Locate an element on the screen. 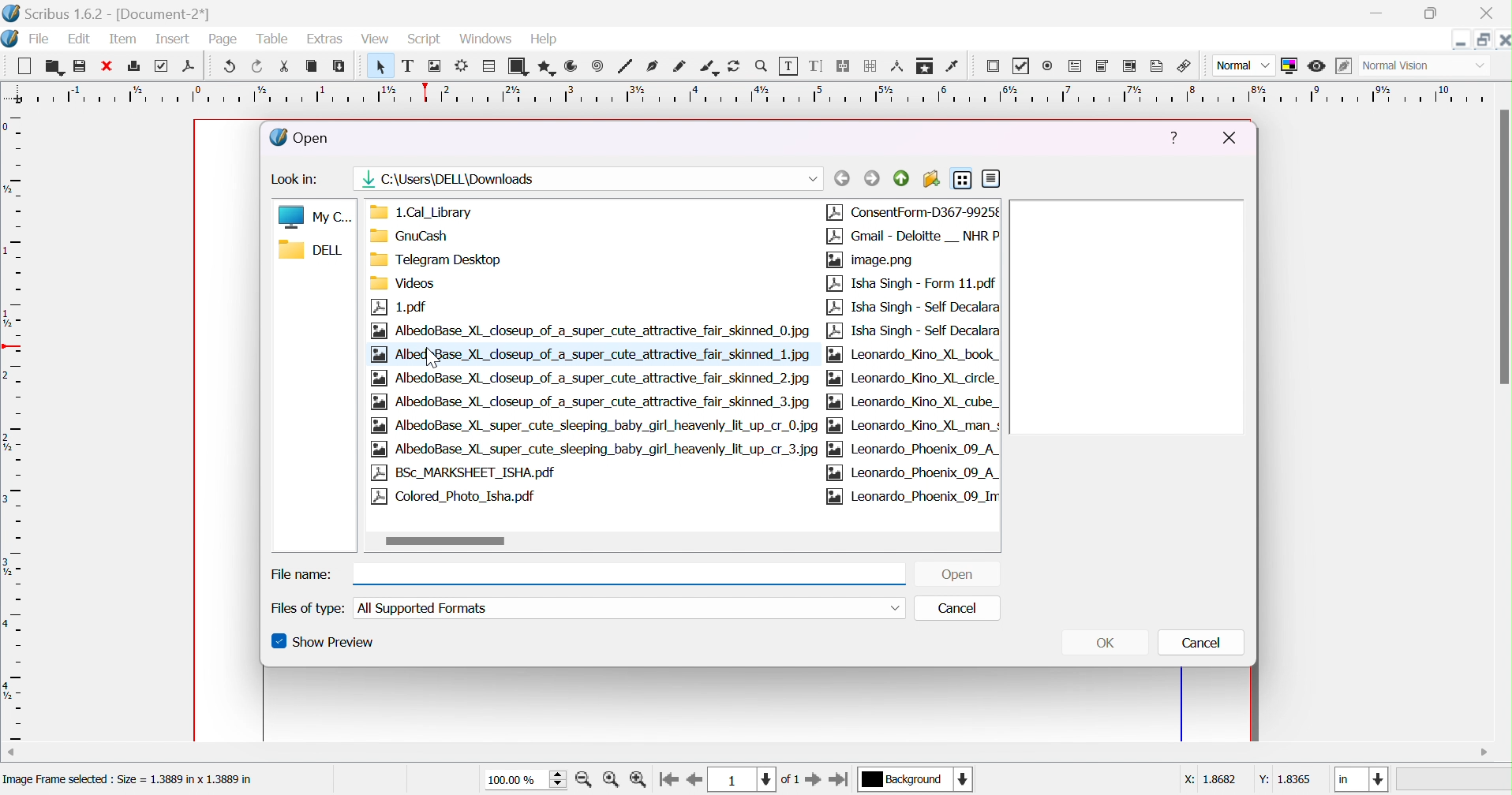  scribus icon is located at coordinates (10, 38).